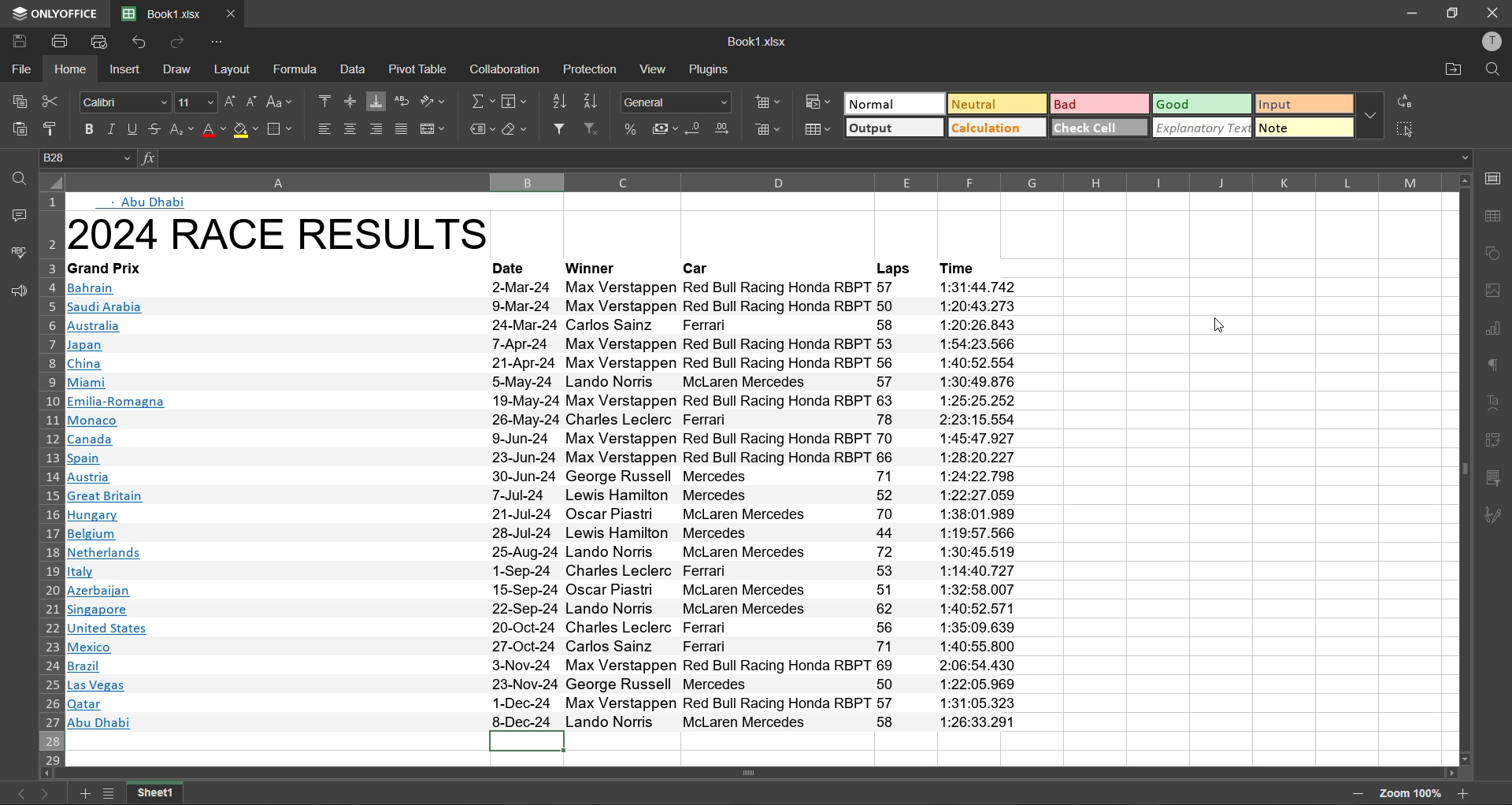 This screenshot has height=805, width=1512. What do you see at coordinates (547, 383) in the screenshot?
I see `Miami 5-May-24 Lando Norris McLaren Mercedes 57 1:30:49.876` at bounding box center [547, 383].